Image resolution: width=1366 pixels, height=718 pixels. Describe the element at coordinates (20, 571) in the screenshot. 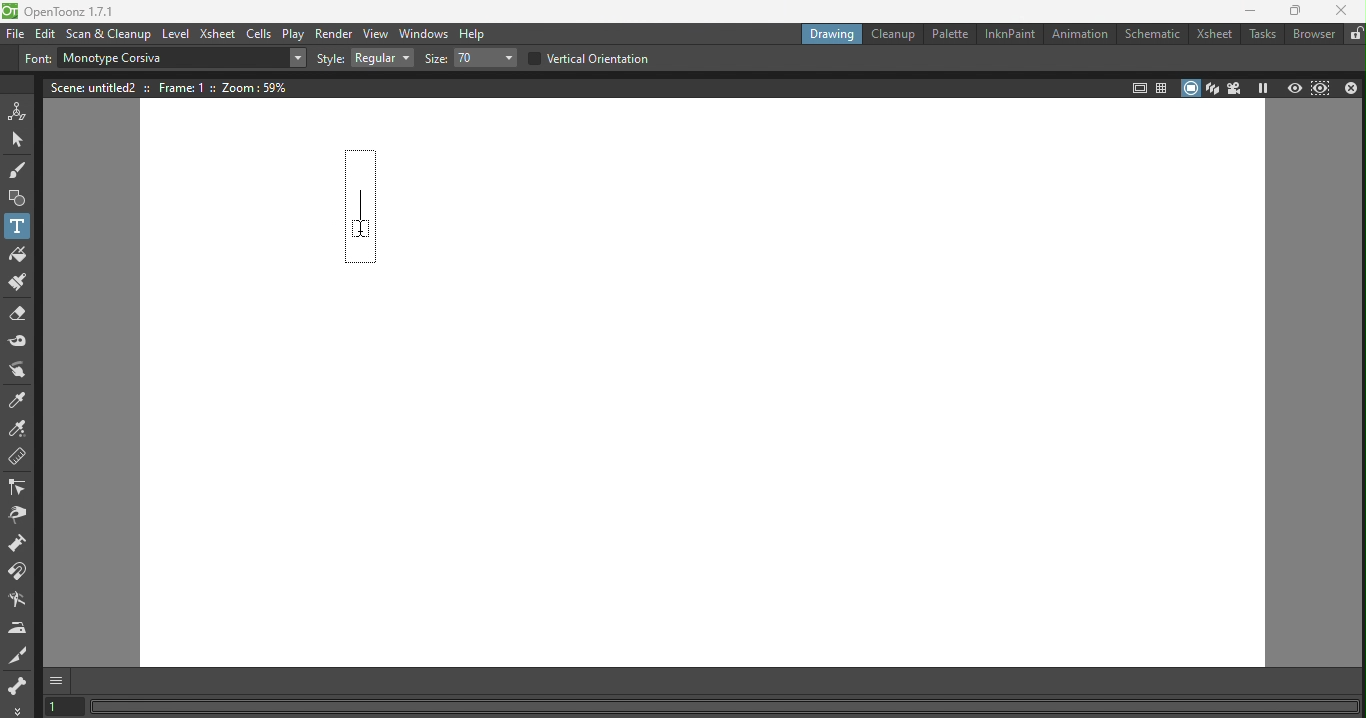

I see `Magnet tool` at that location.